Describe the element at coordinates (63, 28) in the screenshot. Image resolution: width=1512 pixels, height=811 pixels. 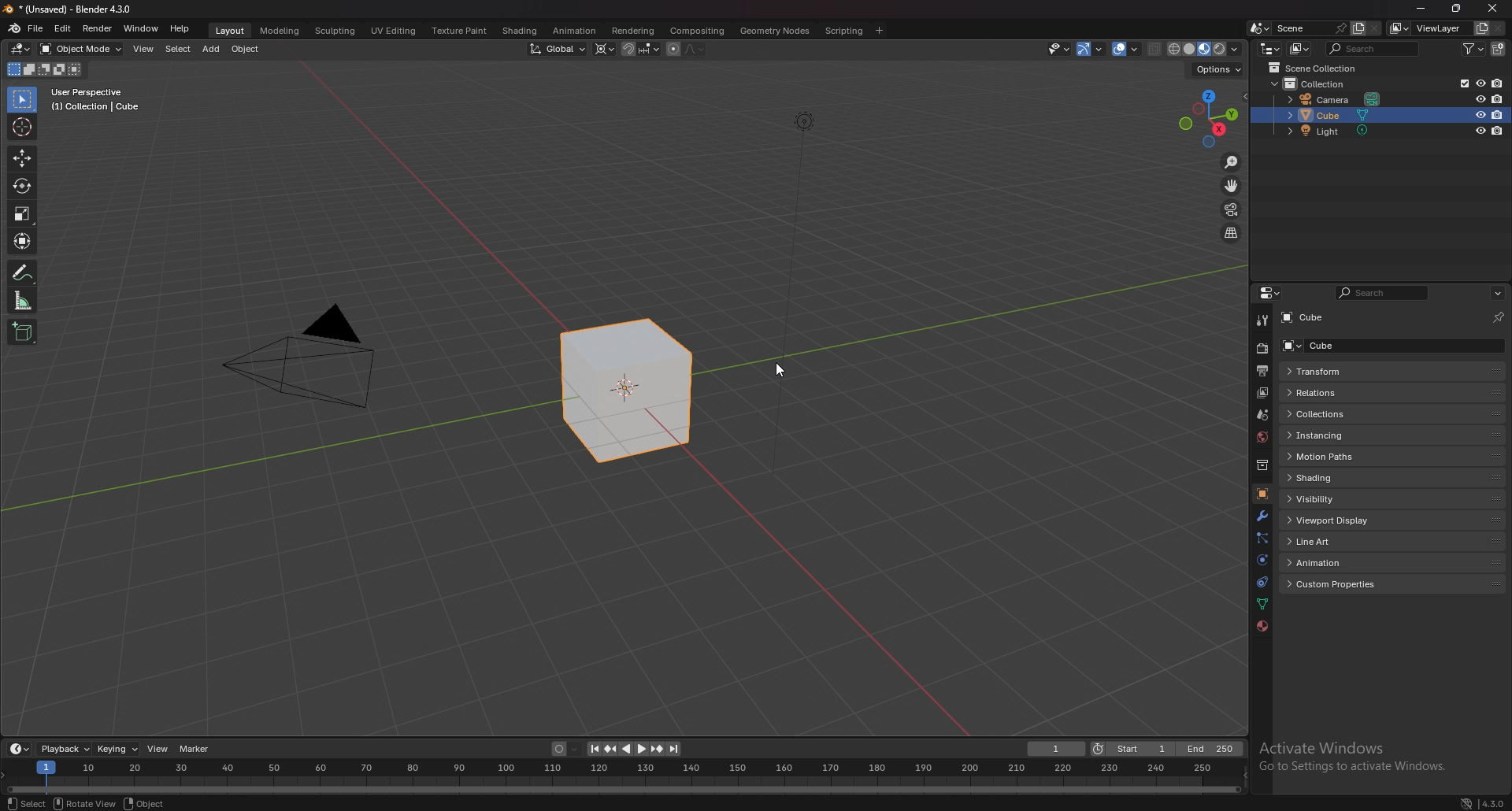
I see `edit` at that location.